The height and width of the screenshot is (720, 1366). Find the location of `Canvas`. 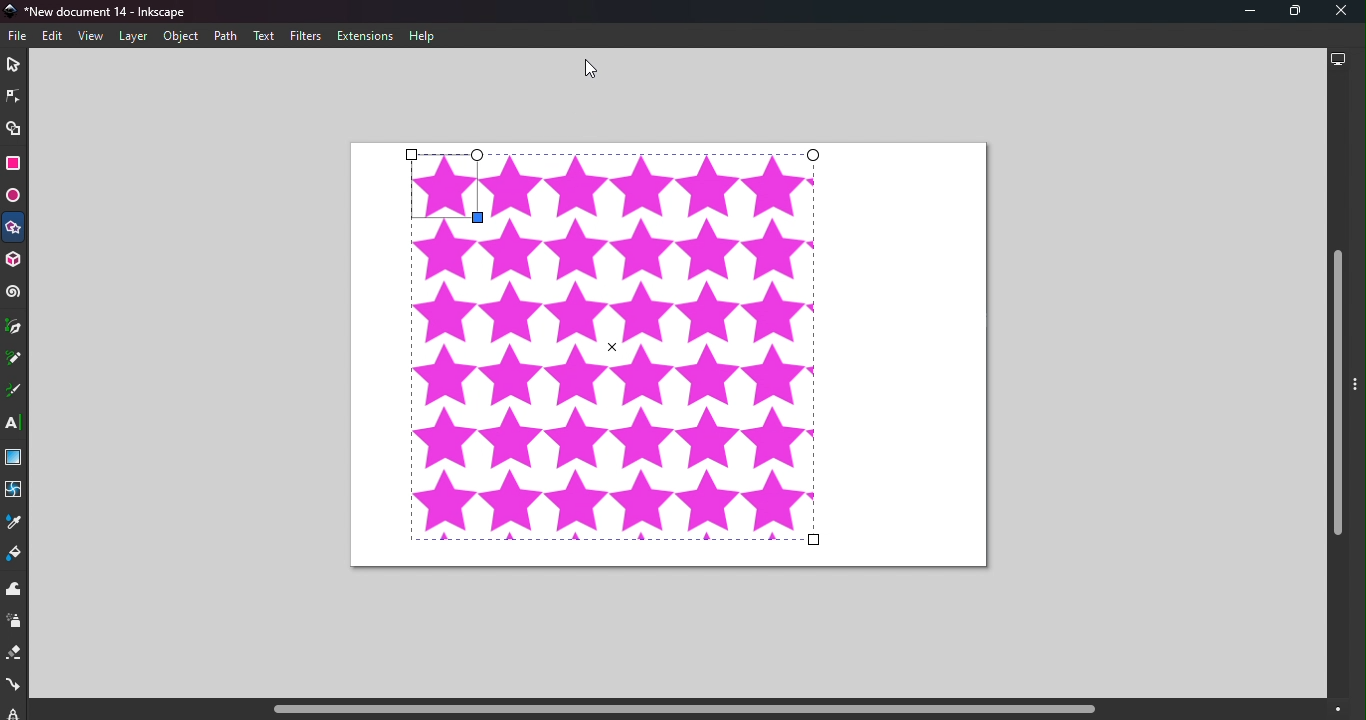

Canvas is located at coordinates (670, 348).